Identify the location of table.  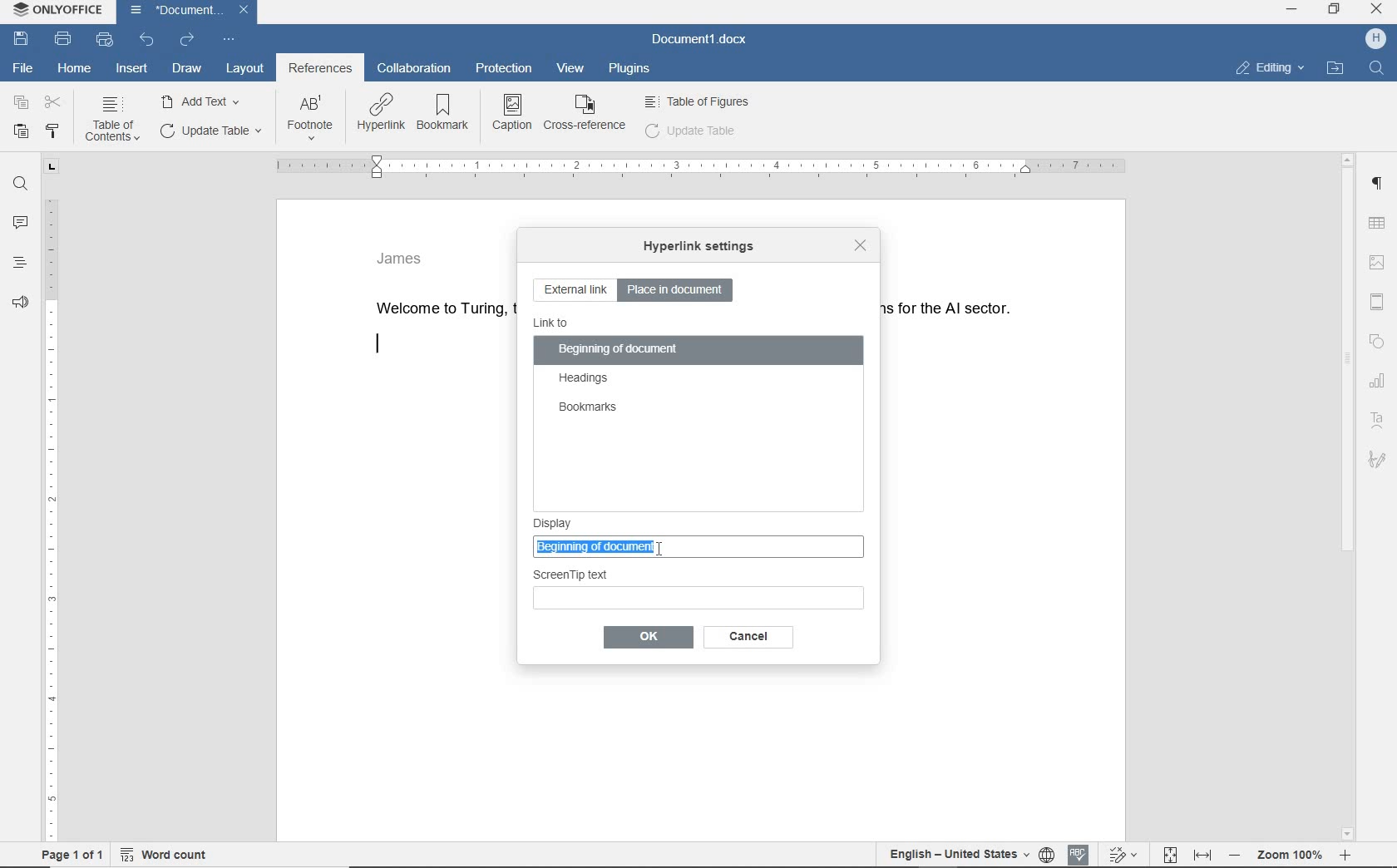
(1380, 222).